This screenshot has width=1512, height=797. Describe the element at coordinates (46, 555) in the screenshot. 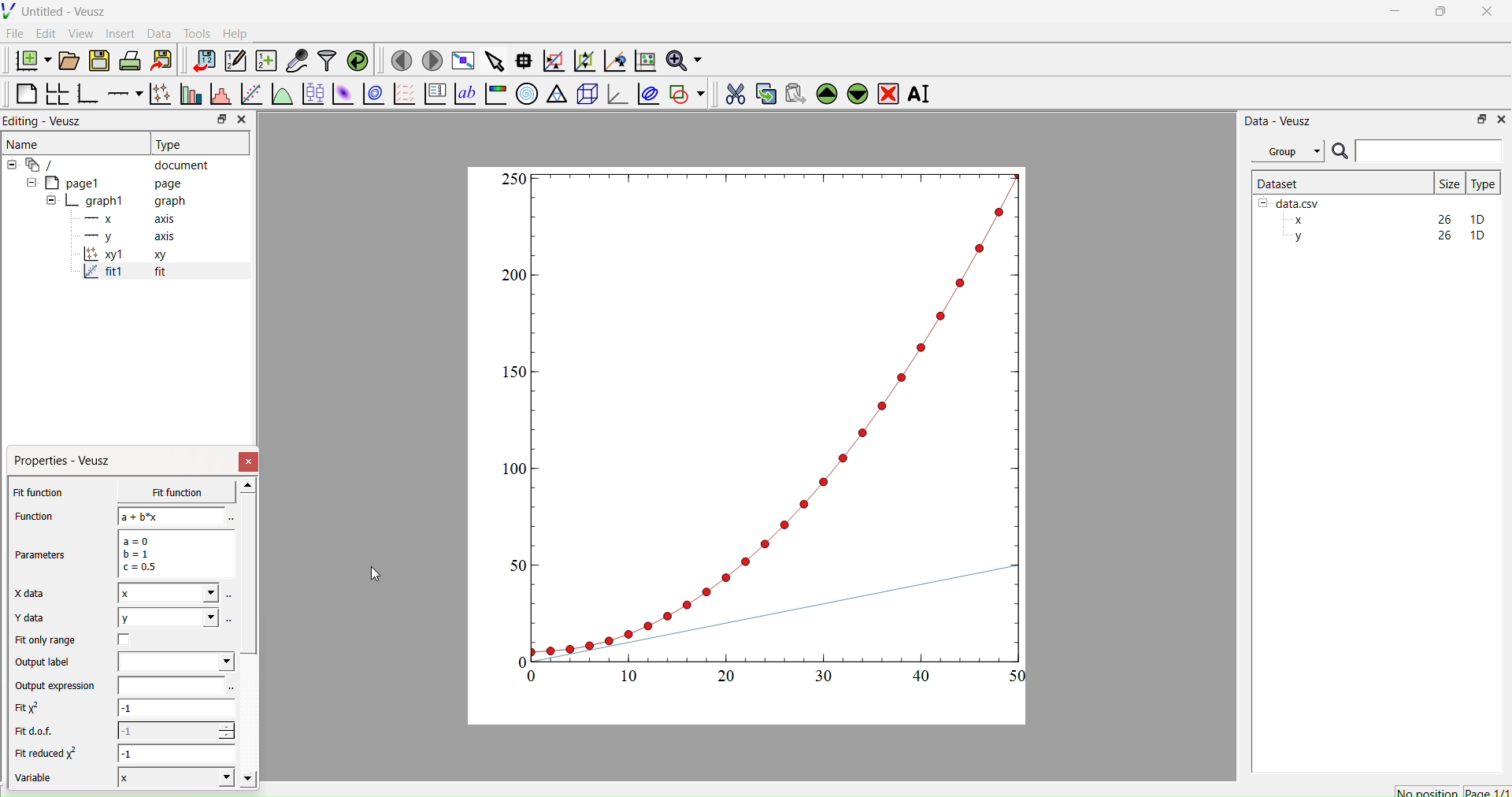

I see `Parameters` at that location.